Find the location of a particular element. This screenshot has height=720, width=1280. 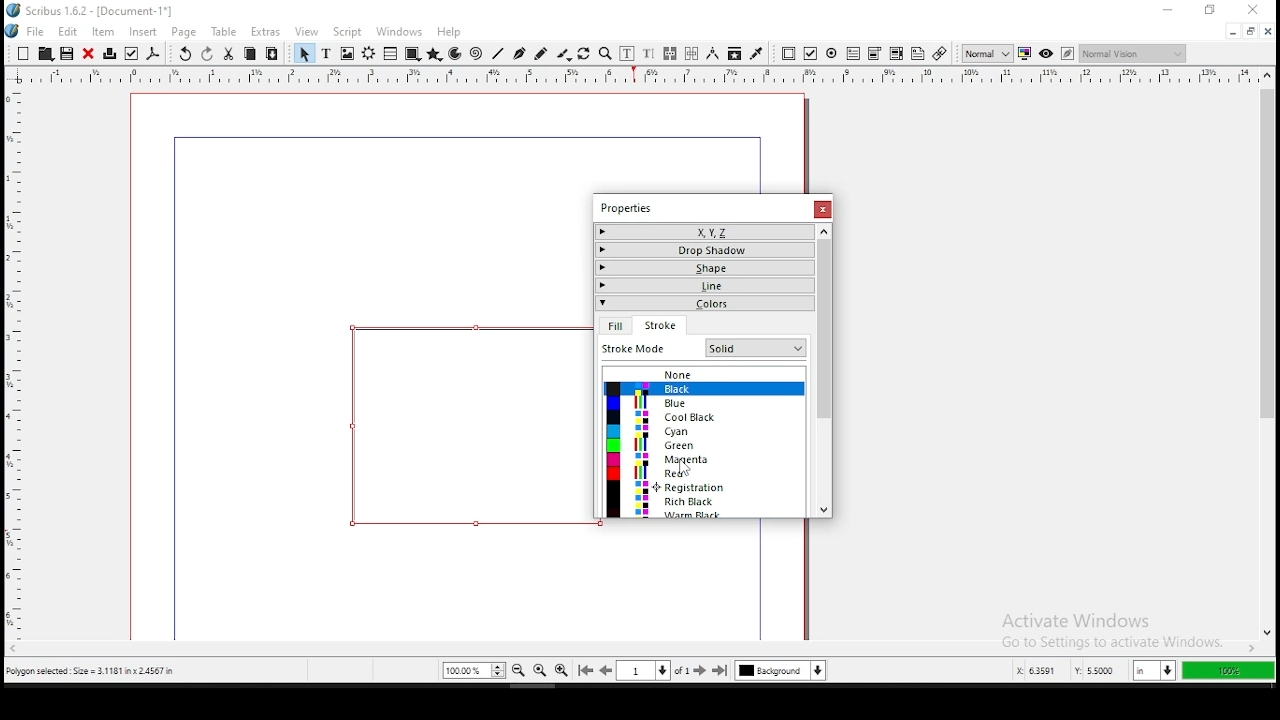

line is located at coordinates (498, 54).